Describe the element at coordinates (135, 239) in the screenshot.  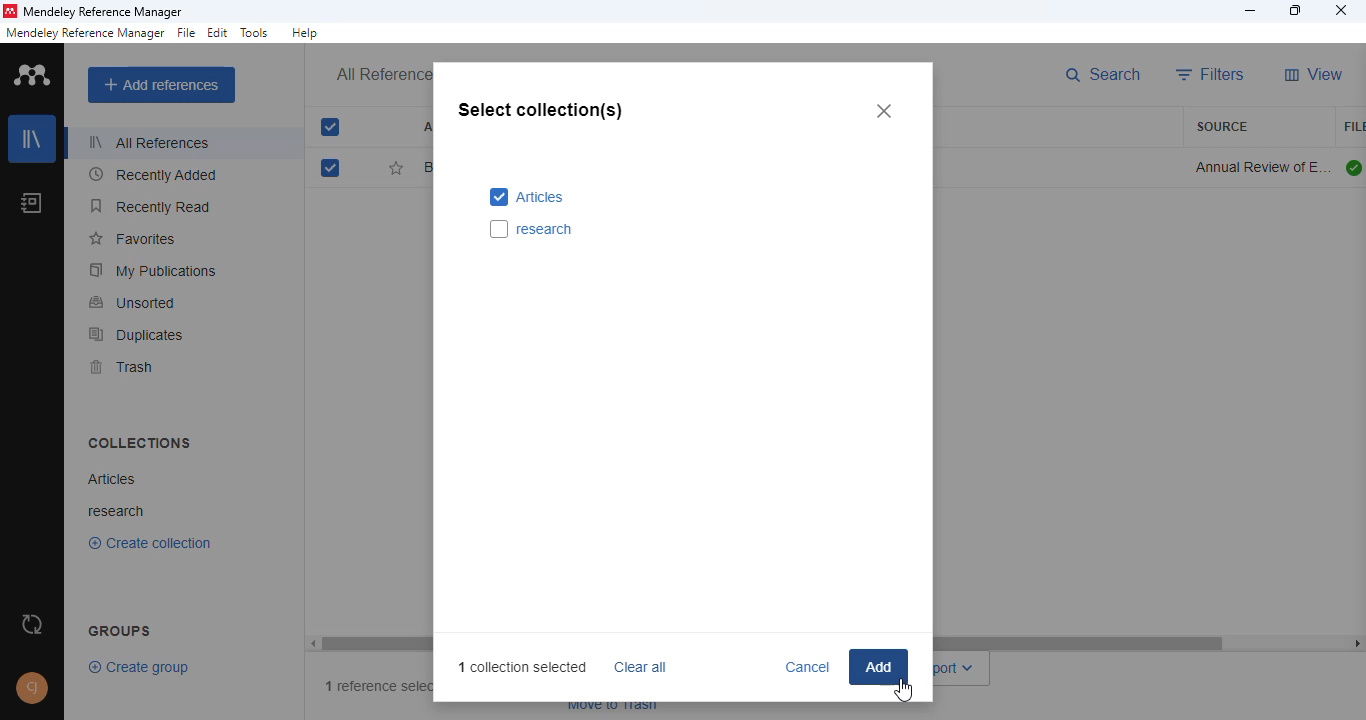
I see `favorites` at that location.